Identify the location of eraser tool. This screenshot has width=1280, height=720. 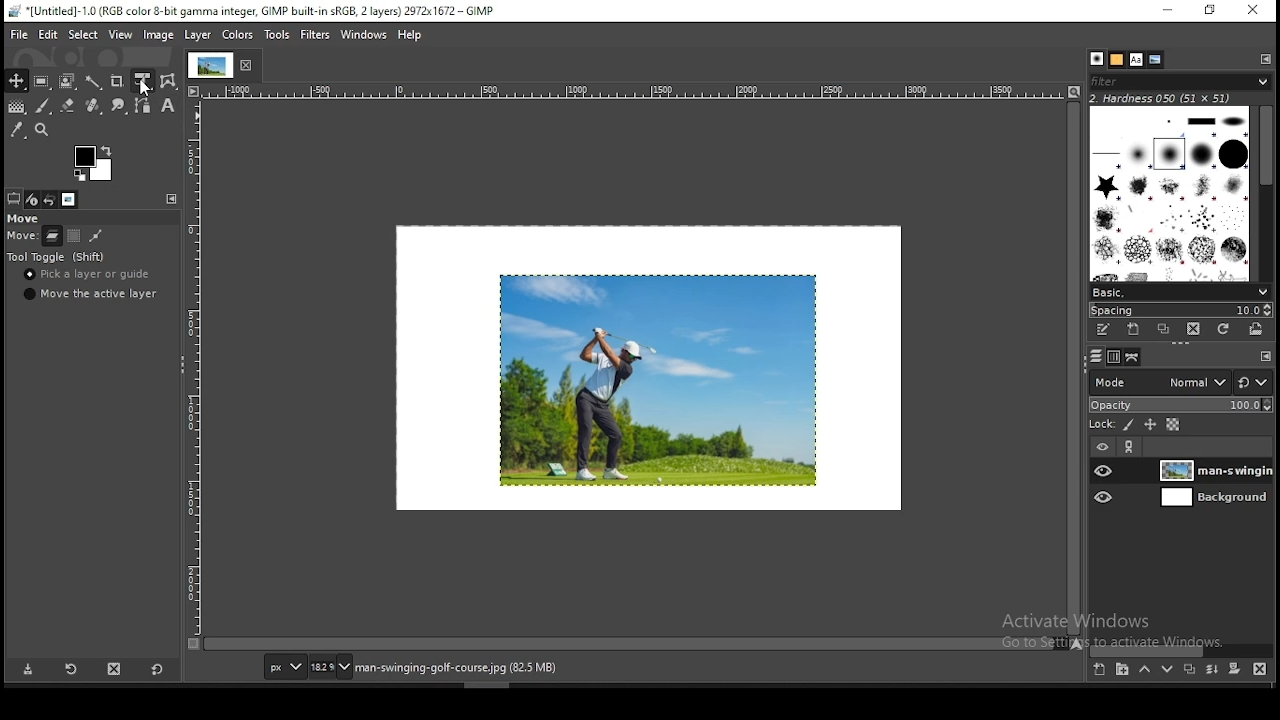
(69, 103).